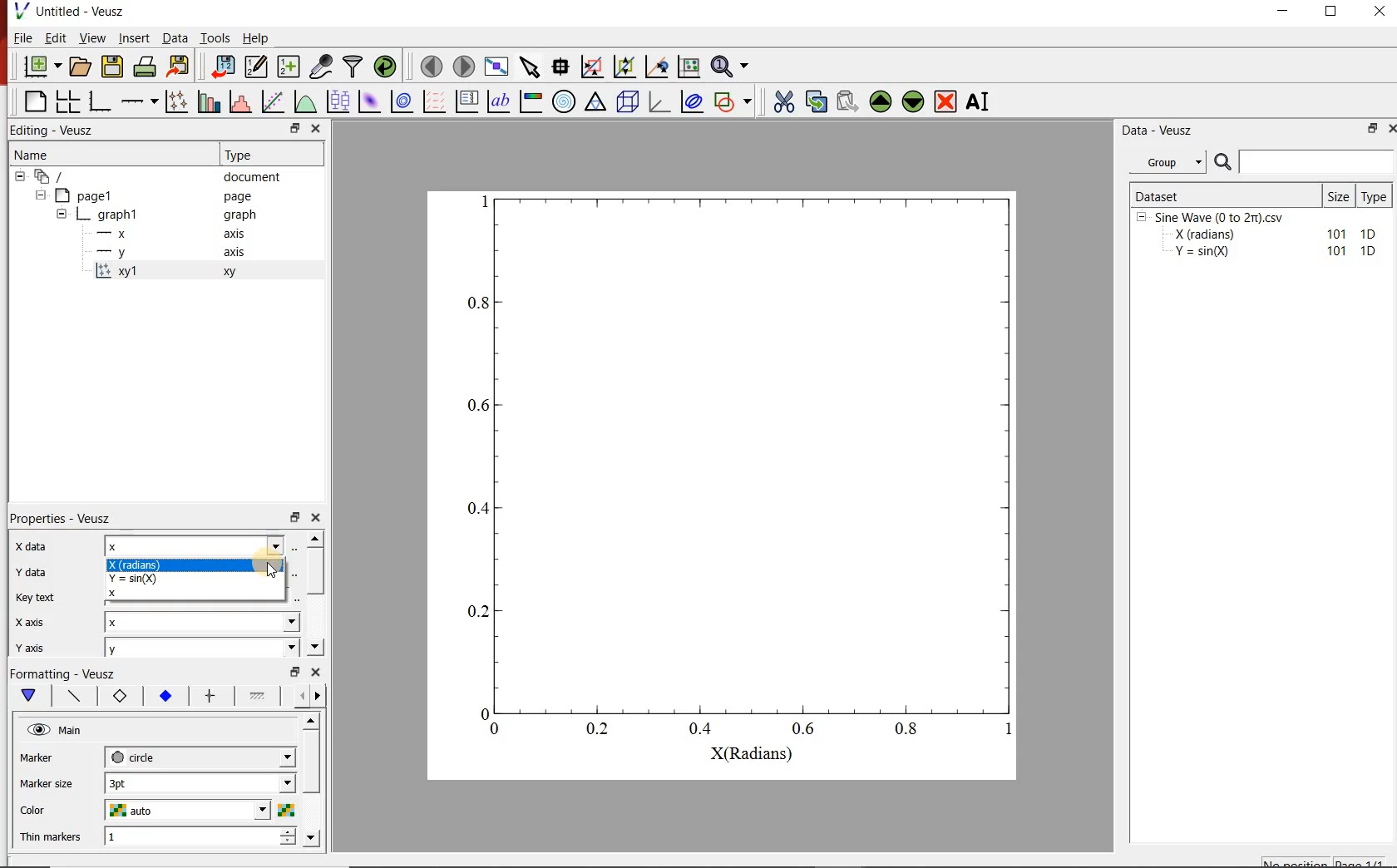 Image resolution: width=1397 pixels, height=868 pixels. What do you see at coordinates (354, 67) in the screenshot?
I see `filter data` at bounding box center [354, 67].